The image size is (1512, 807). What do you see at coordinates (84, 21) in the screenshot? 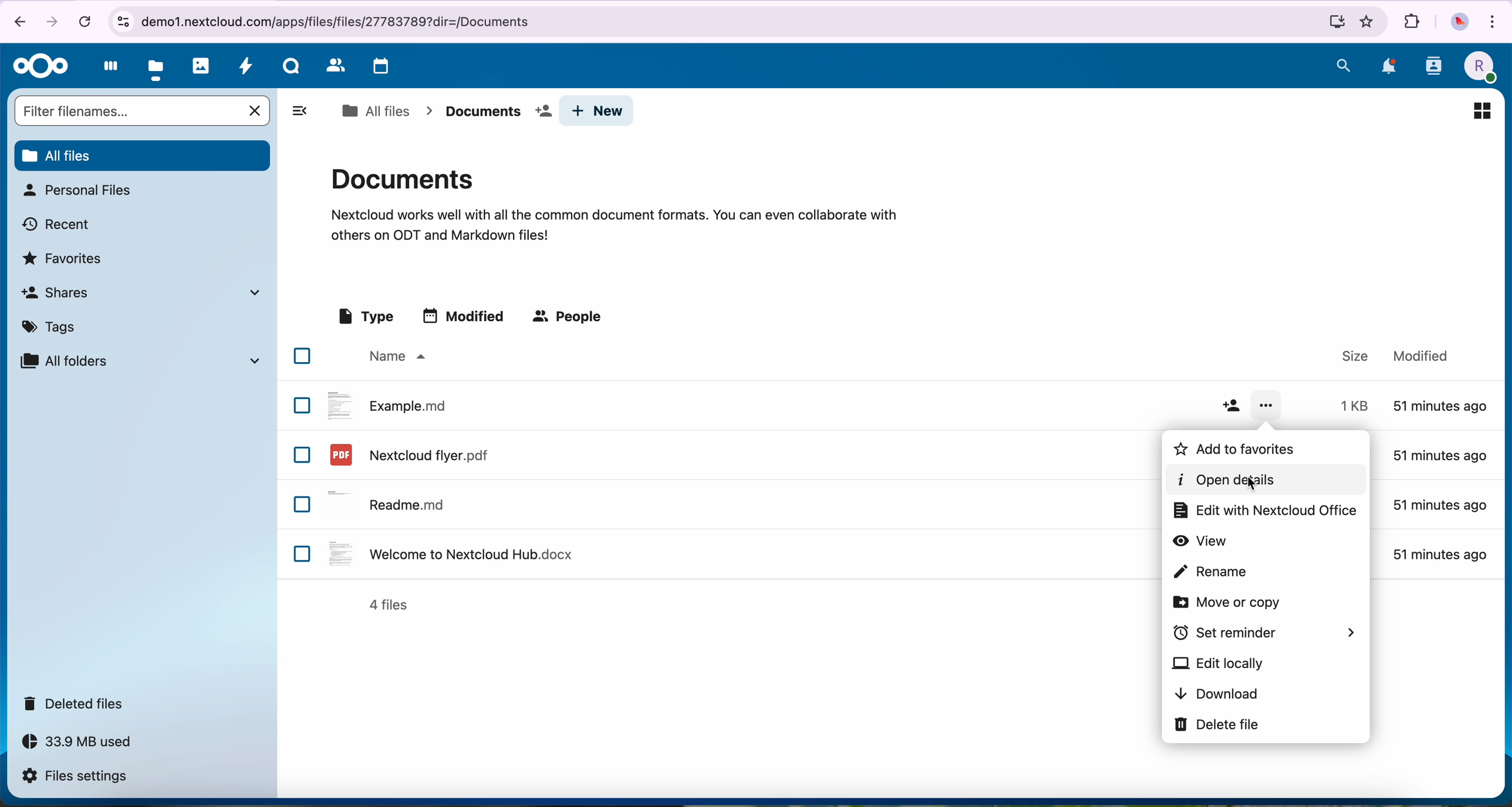
I see `cancel` at bounding box center [84, 21].